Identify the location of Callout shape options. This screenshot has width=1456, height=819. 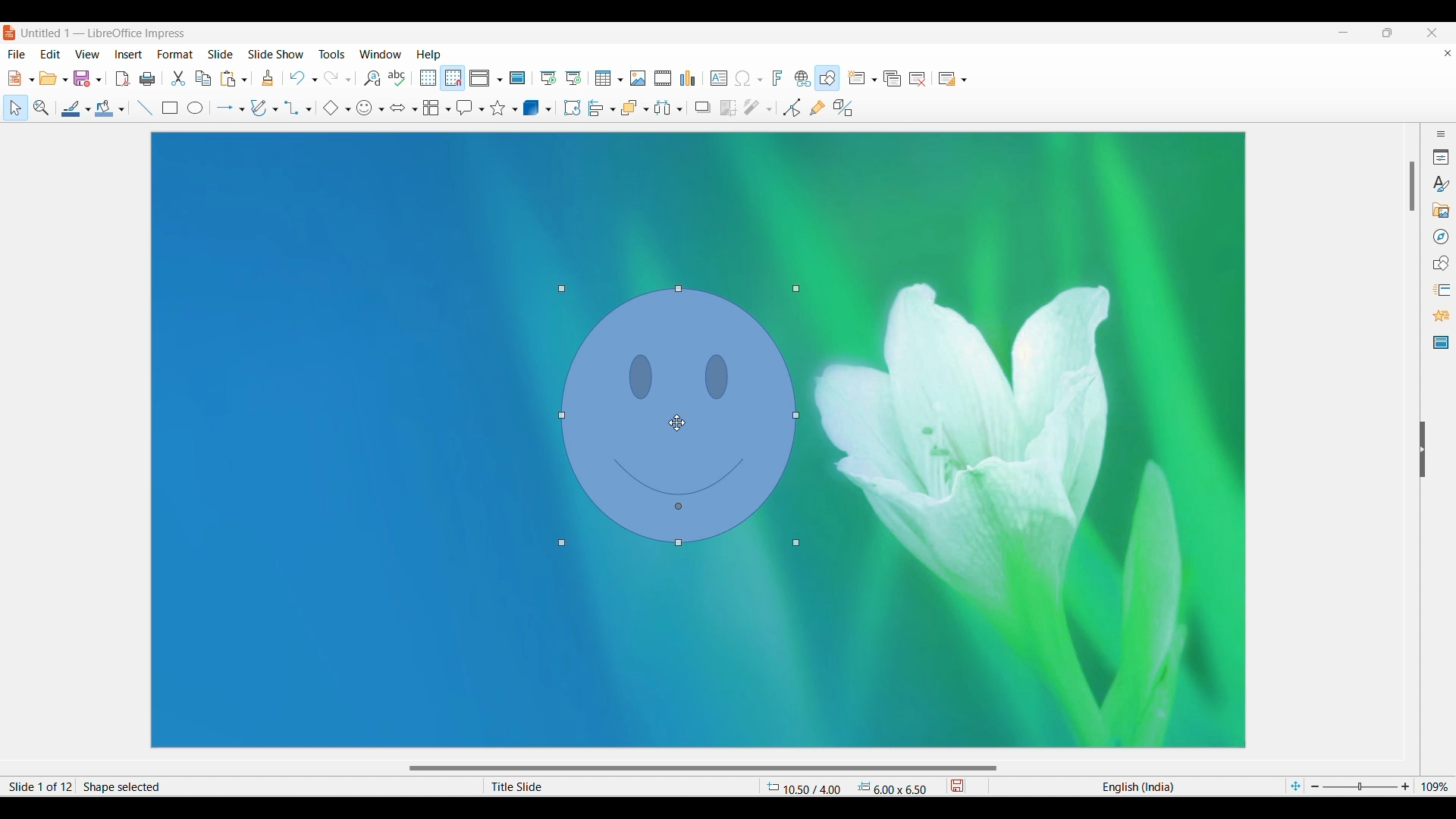
(482, 110).